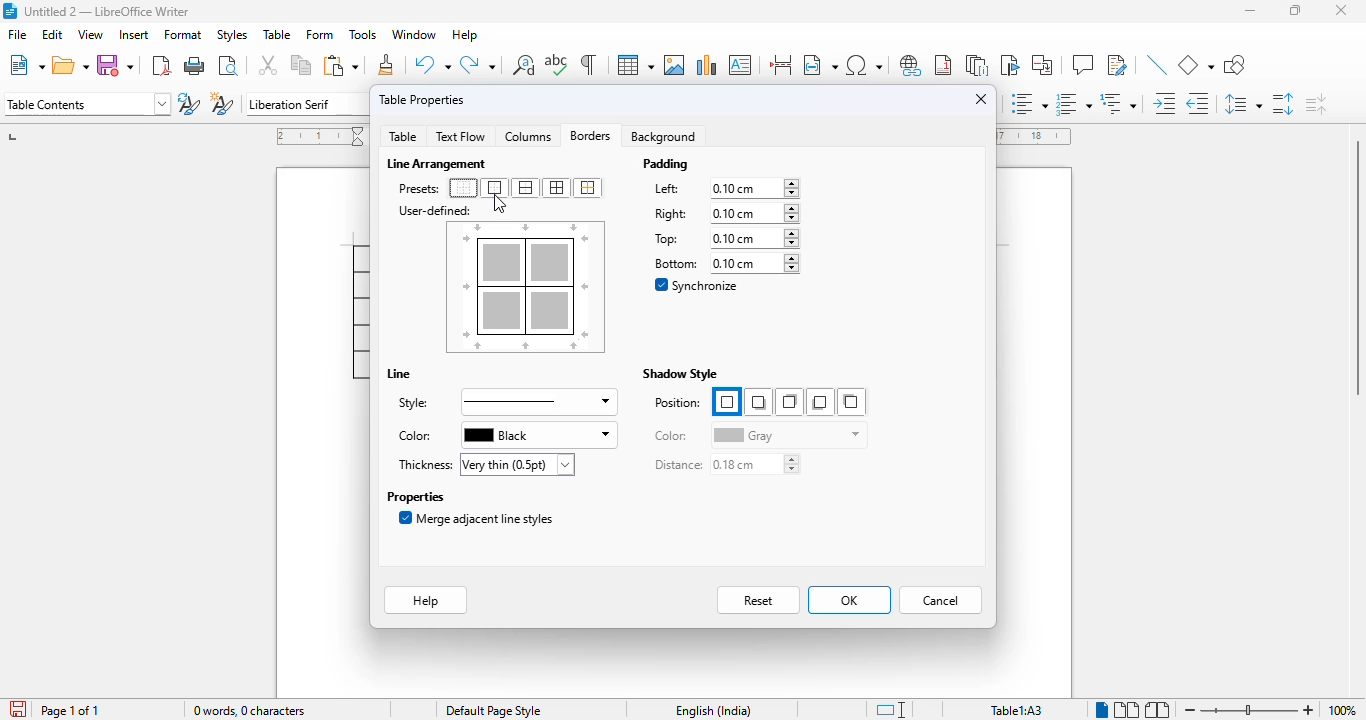  Describe the element at coordinates (724, 213) in the screenshot. I see `right: 0.10 cm` at that location.